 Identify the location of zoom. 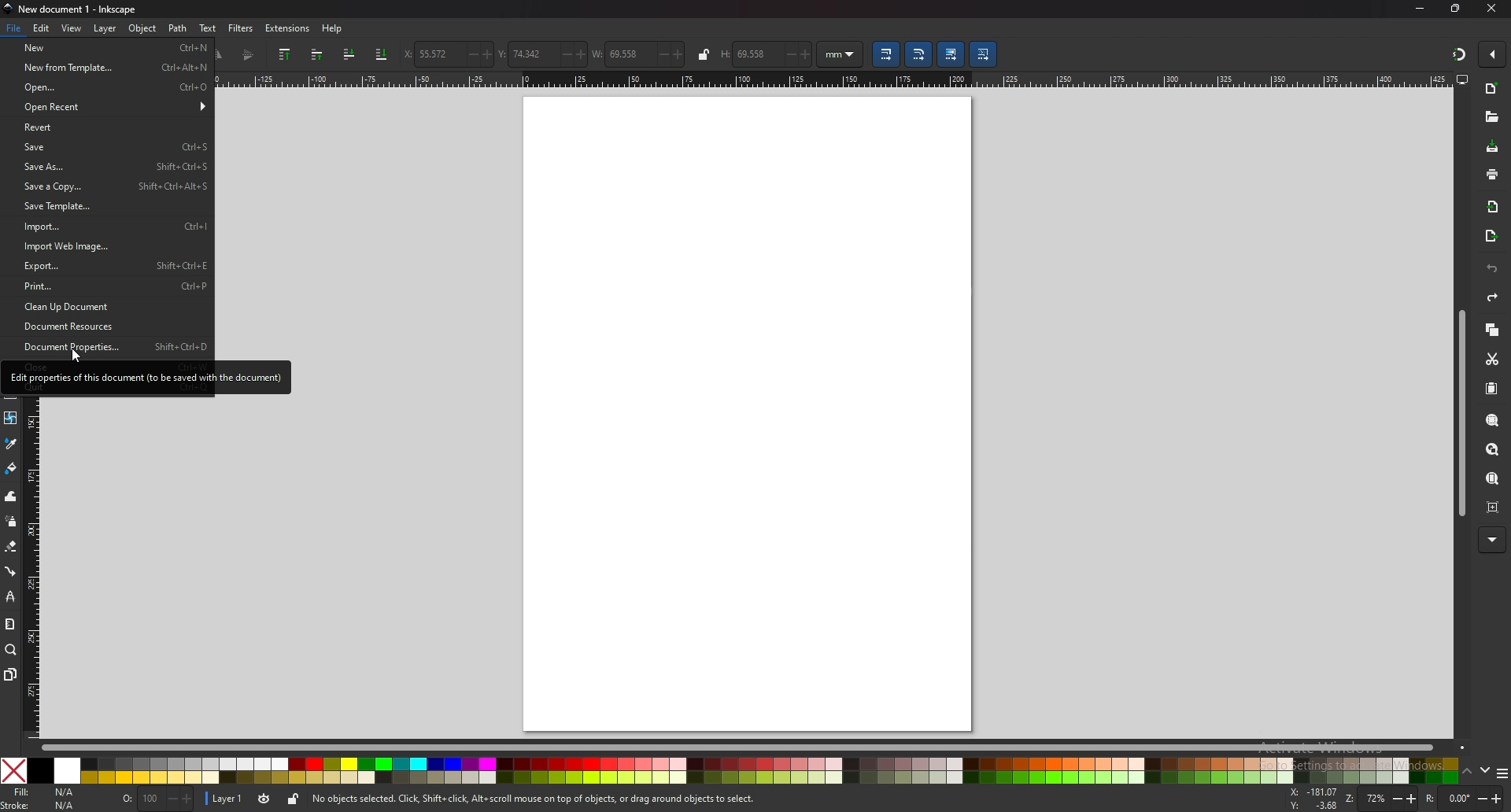
(1362, 800).